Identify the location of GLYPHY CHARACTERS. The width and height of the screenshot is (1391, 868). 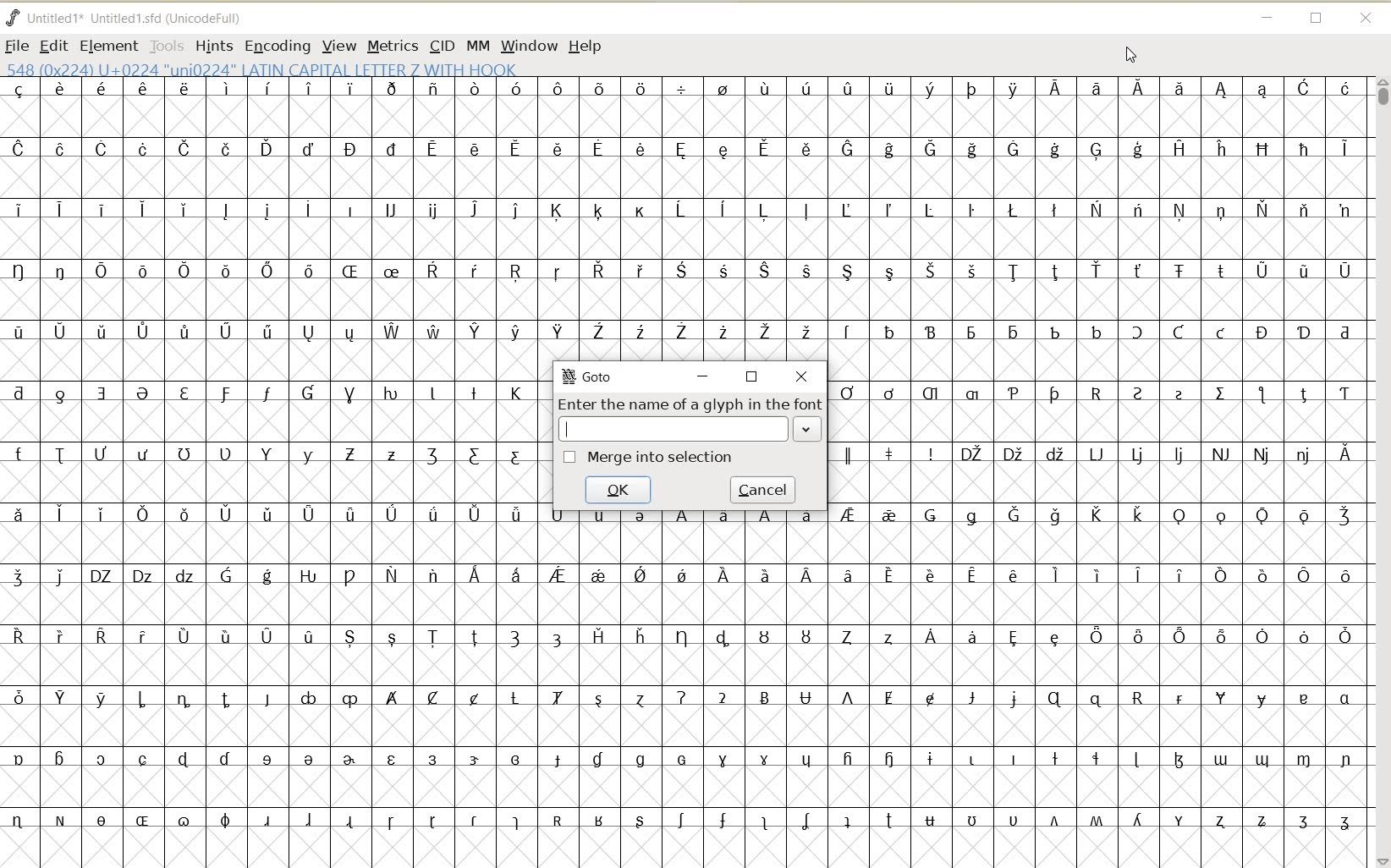
(1098, 619).